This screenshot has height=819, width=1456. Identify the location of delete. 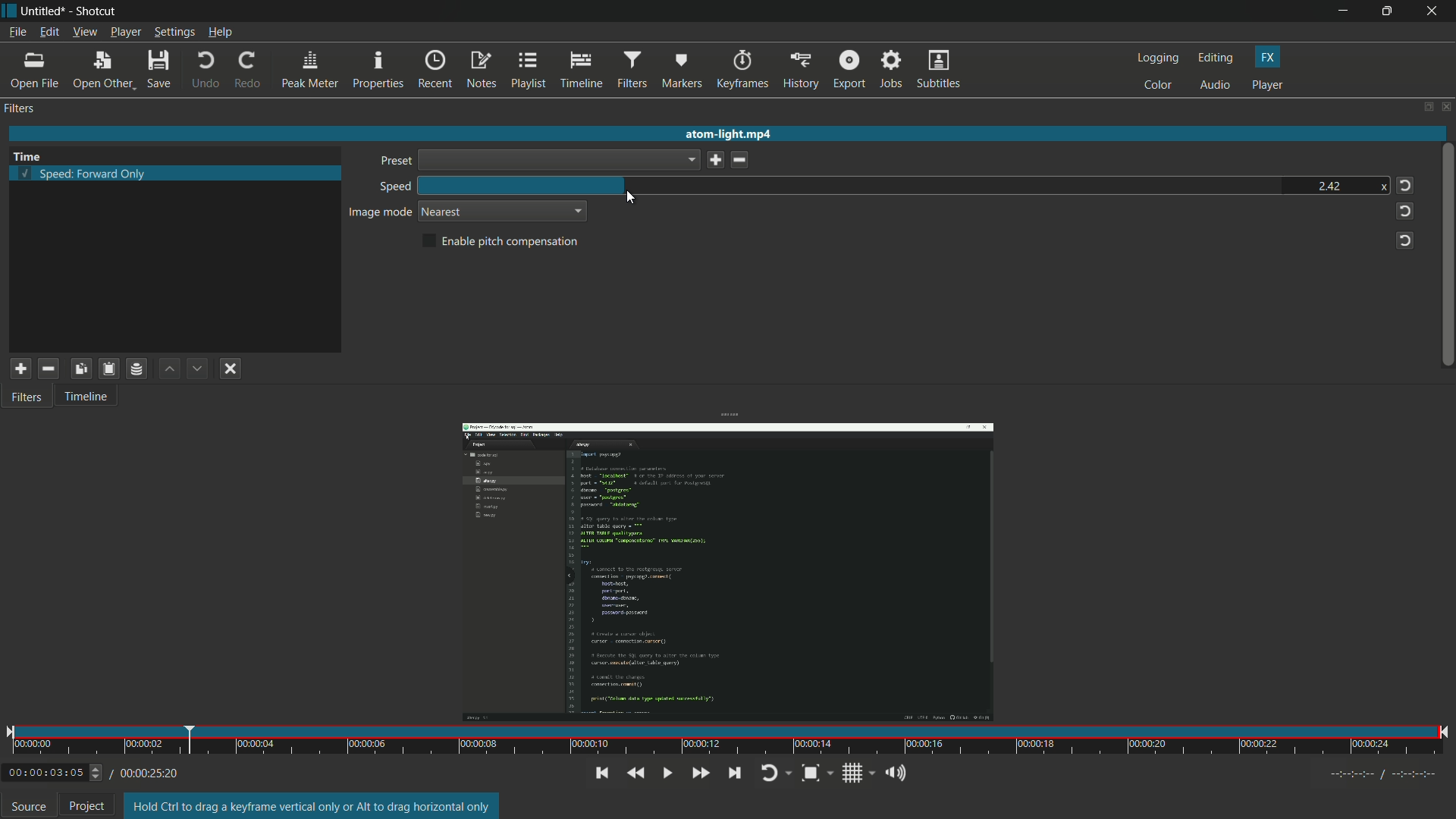
(742, 160).